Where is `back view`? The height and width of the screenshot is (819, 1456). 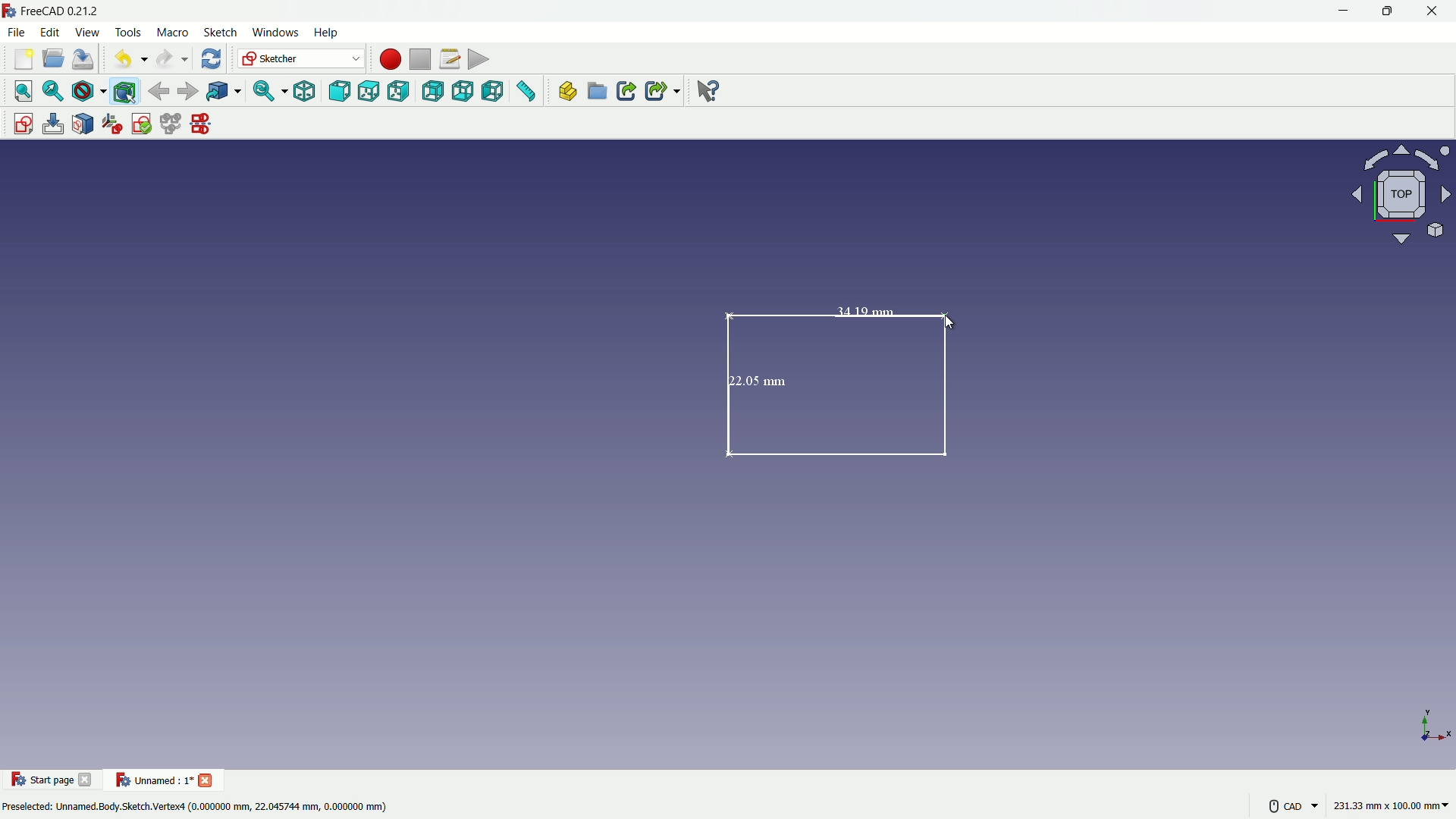 back view is located at coordinates (432, 91).